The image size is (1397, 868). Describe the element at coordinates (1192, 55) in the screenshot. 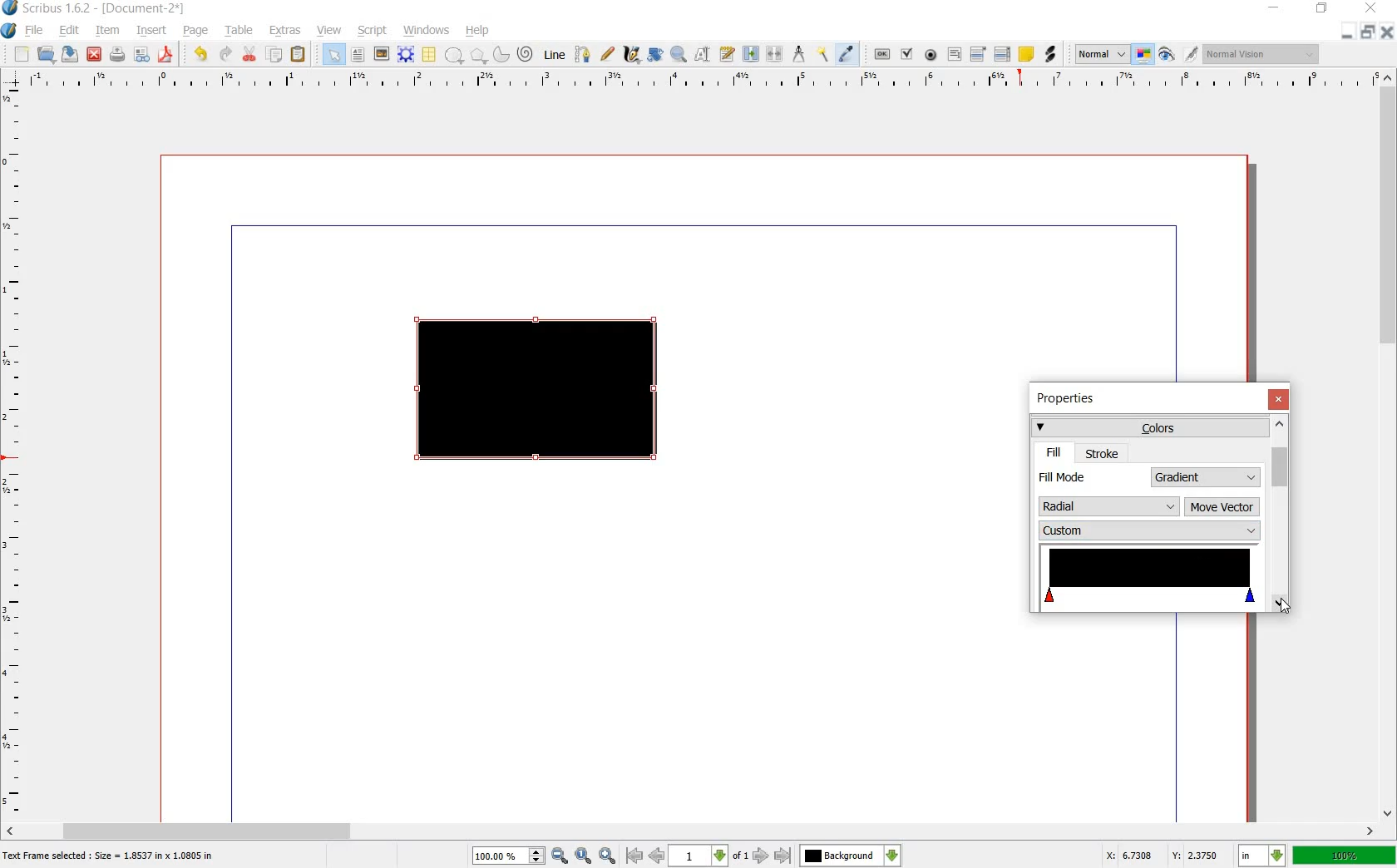

I see `edit in preview mode` at that location.